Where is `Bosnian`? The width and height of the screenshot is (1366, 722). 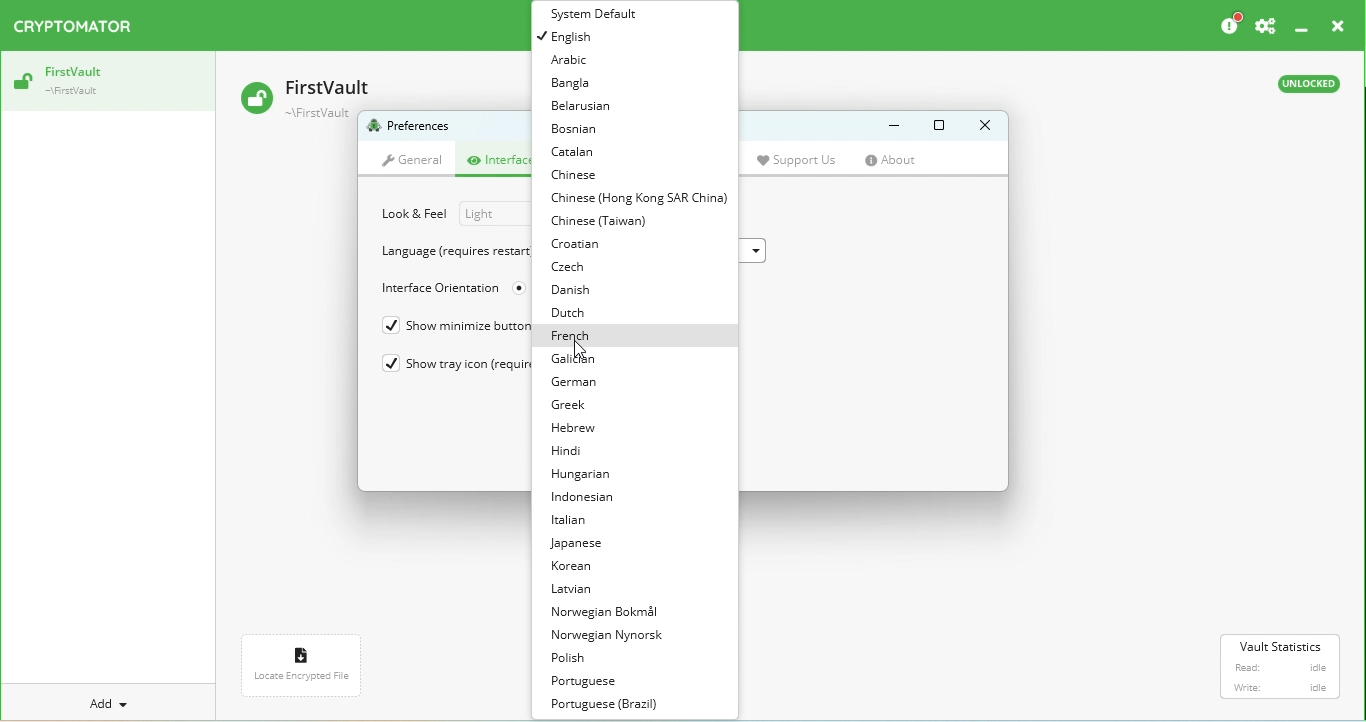 Bosnian is located at coordinates (579, 132).